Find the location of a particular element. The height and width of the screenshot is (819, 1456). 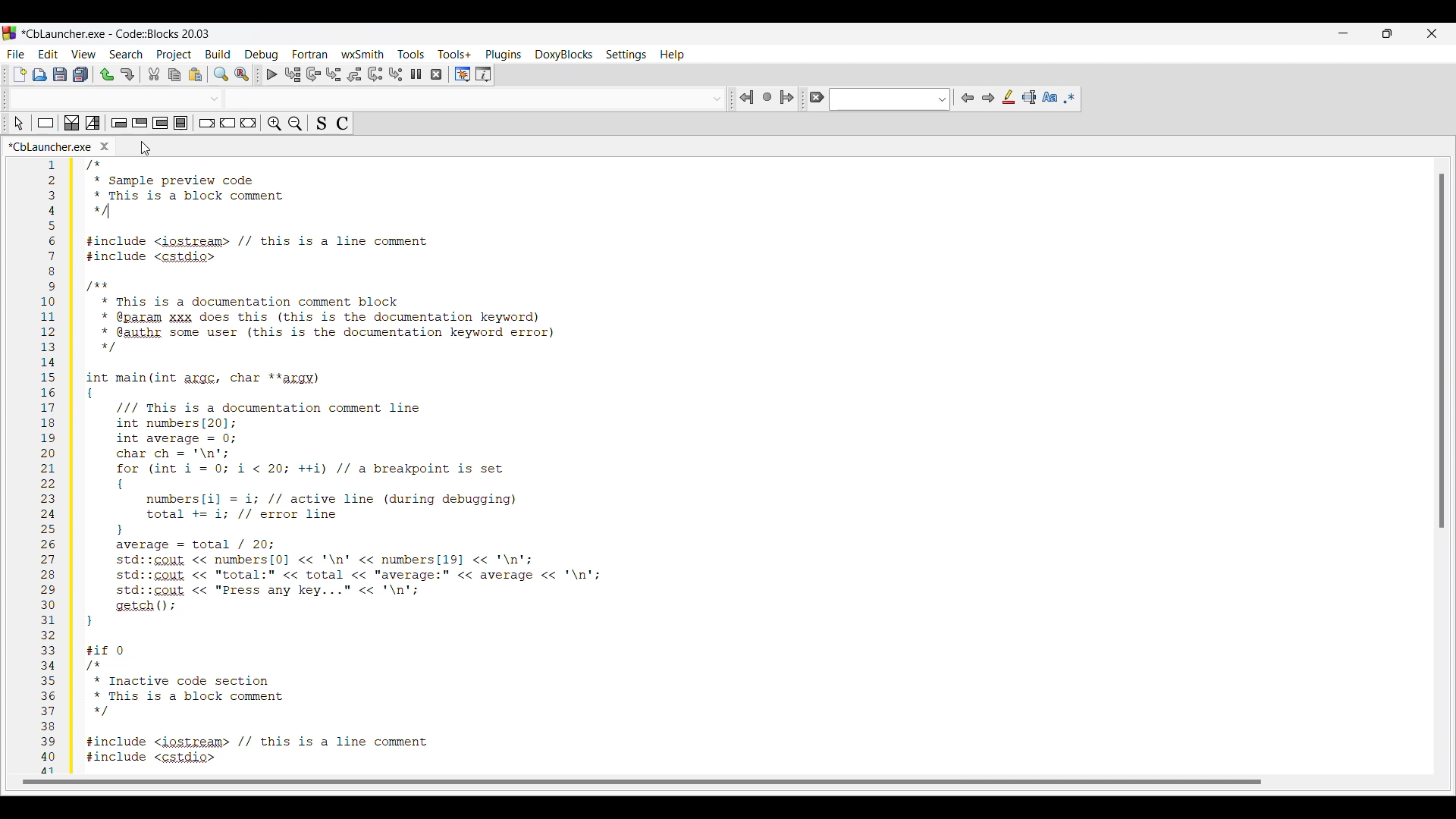

Exit-condition loop is located at coordinates (140, 123).